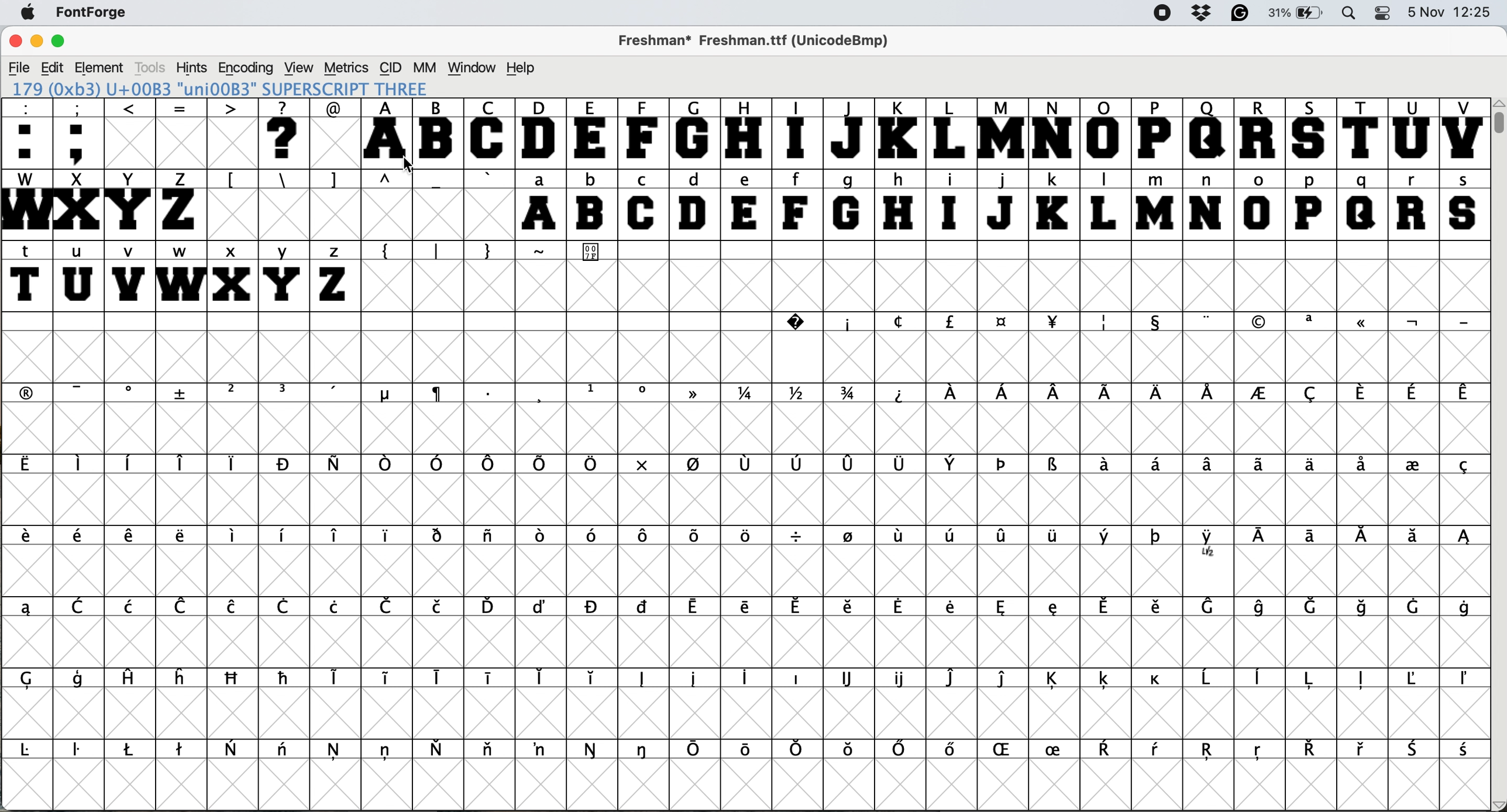 This screenshot has height=812, width=1507. I want to click on symbol, so click(543, 749).